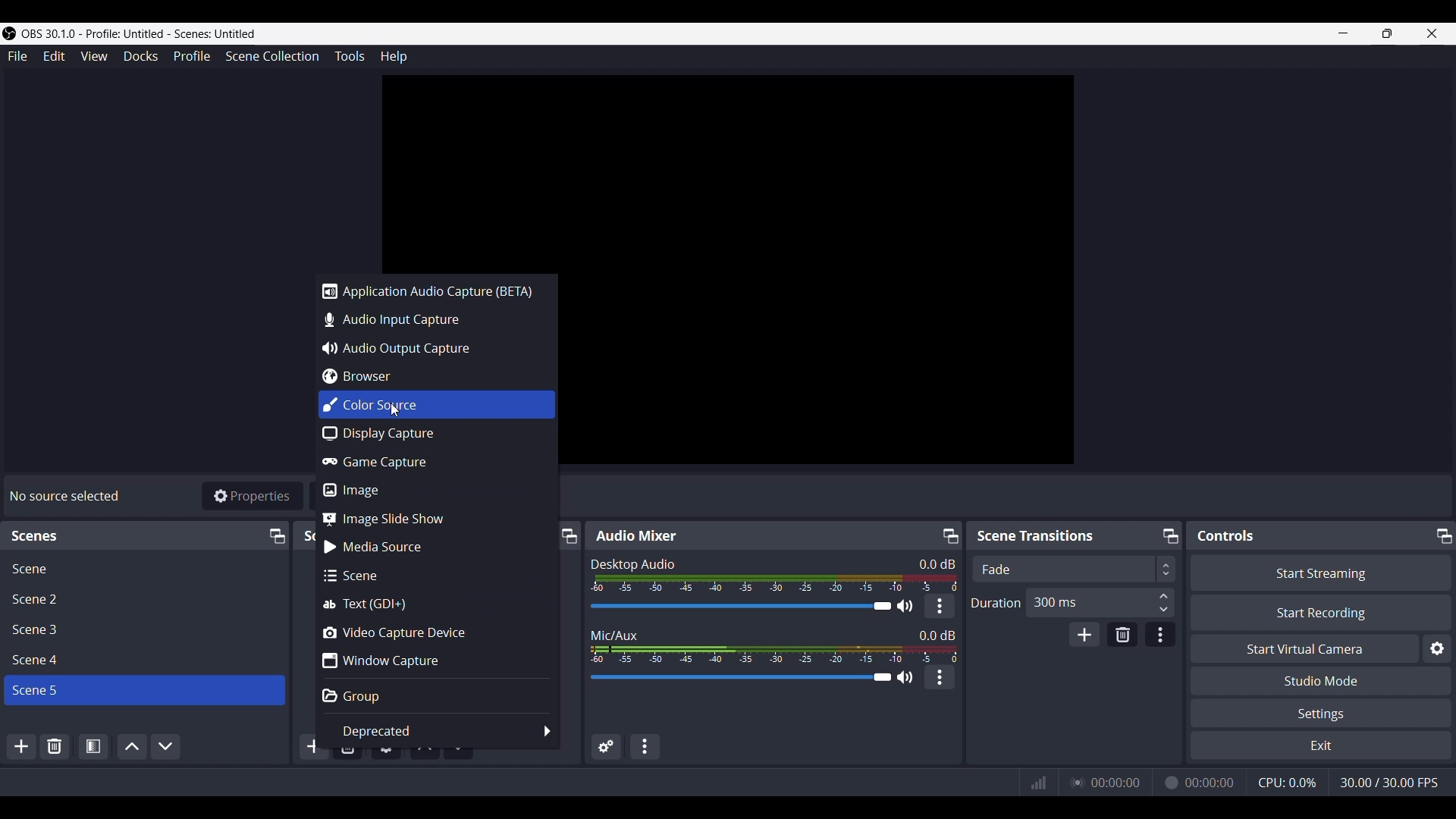 This screenshot has height=819, width=1456. What do you see at coordinates (432, 320) in the screenshot?
I see `Audio input capture` at bounding box center [432, 320].